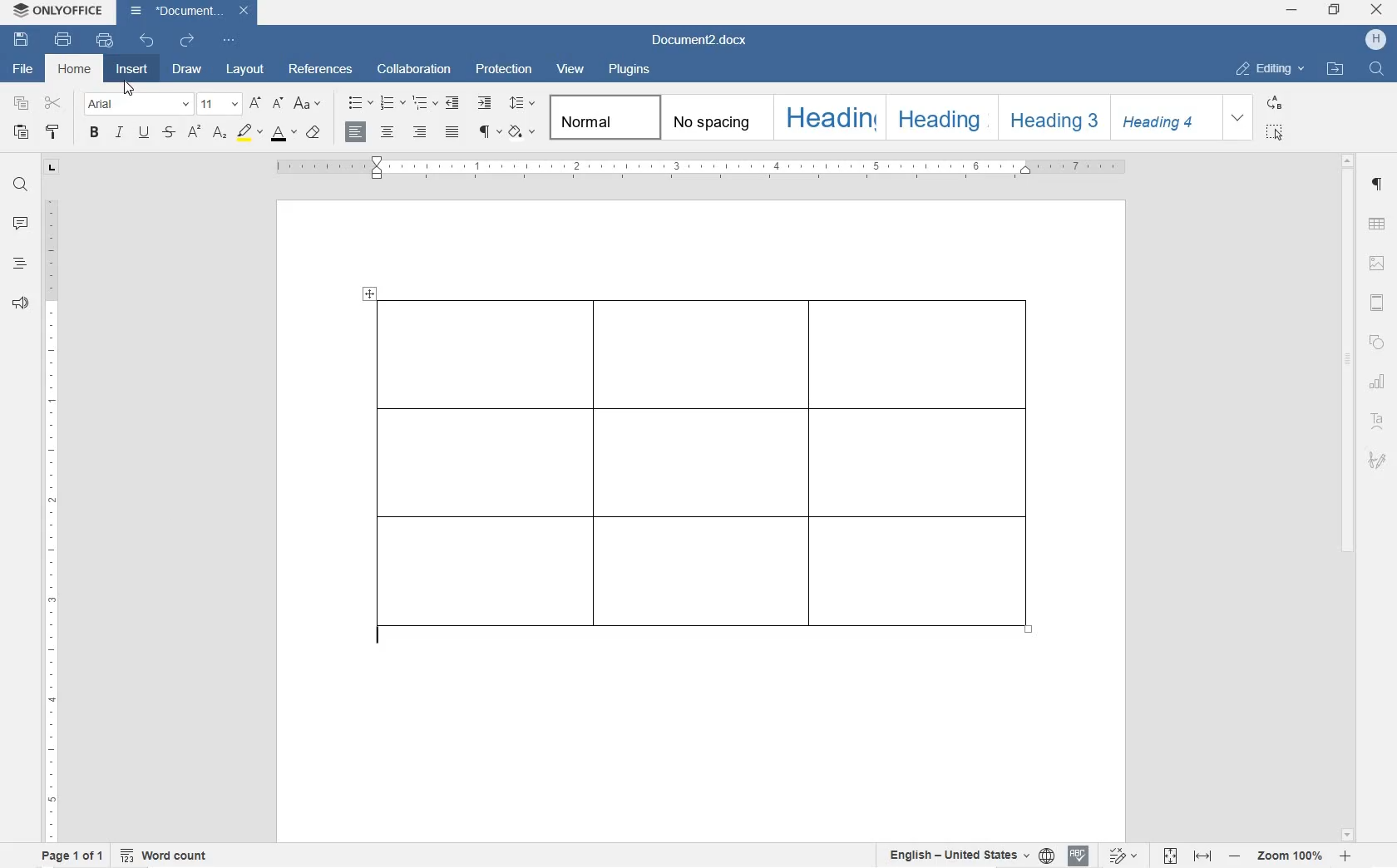 This screenshot has width=1397, height=868. What do you see at coordinates (1348, 496) in the screenshot?
I see `scrollbar` at bounding box center [1348, 496].